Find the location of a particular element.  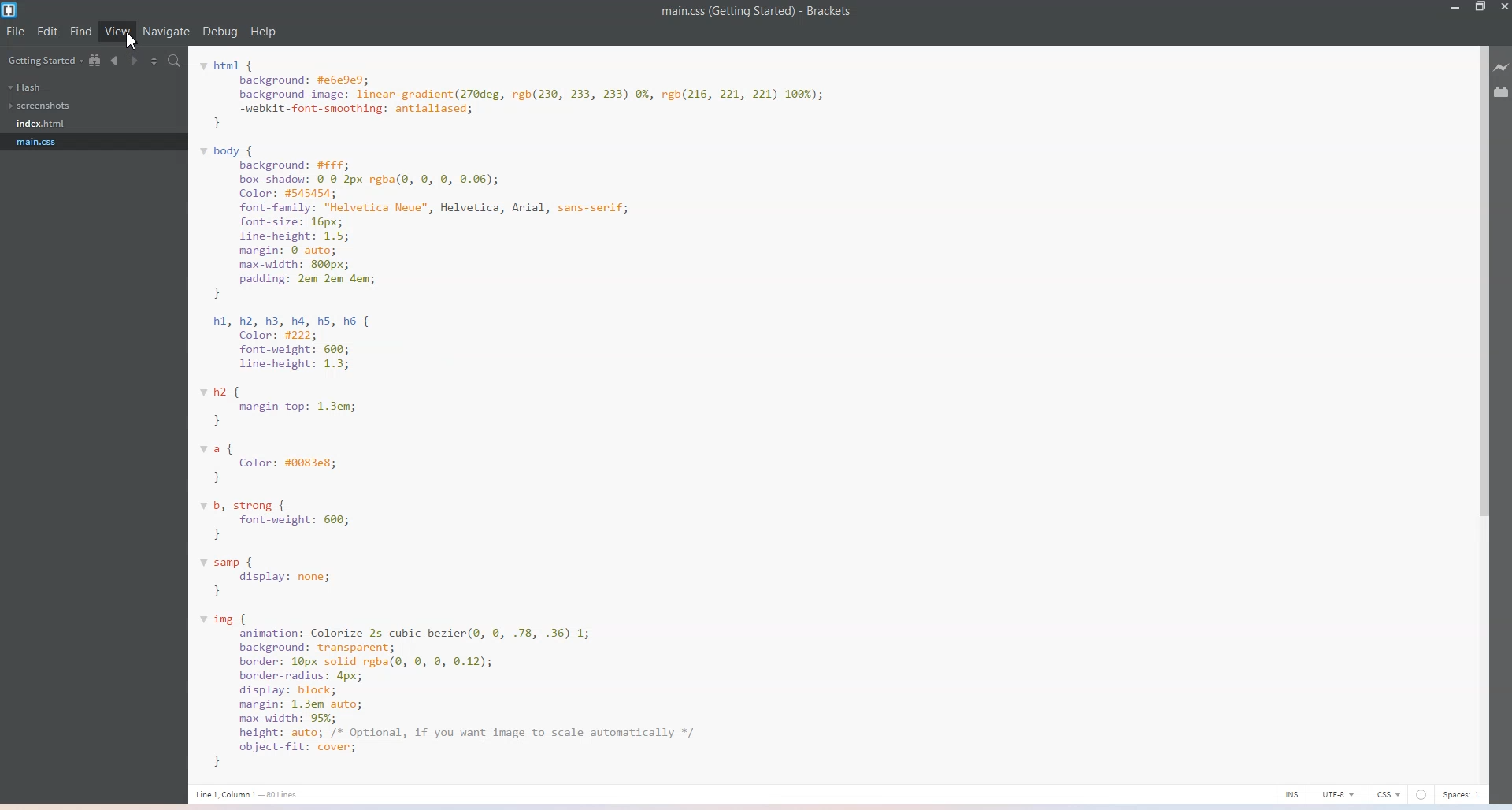

View is located at coordinates (117, 32).